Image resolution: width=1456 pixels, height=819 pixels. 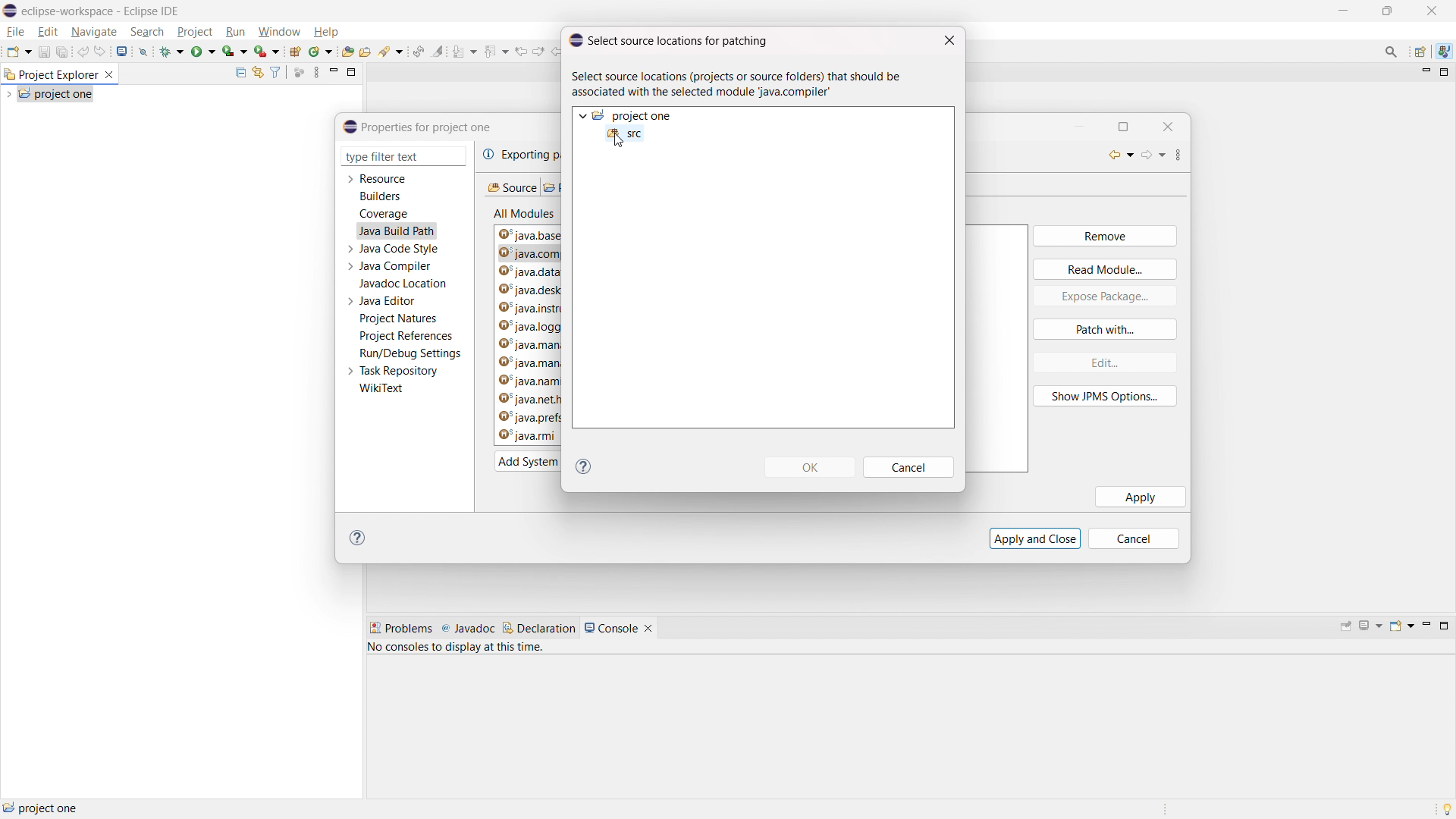 What do you see at coordinates (1105, 329) in the screenshot?
I see `patch with` at bounding box center [1105, 329].